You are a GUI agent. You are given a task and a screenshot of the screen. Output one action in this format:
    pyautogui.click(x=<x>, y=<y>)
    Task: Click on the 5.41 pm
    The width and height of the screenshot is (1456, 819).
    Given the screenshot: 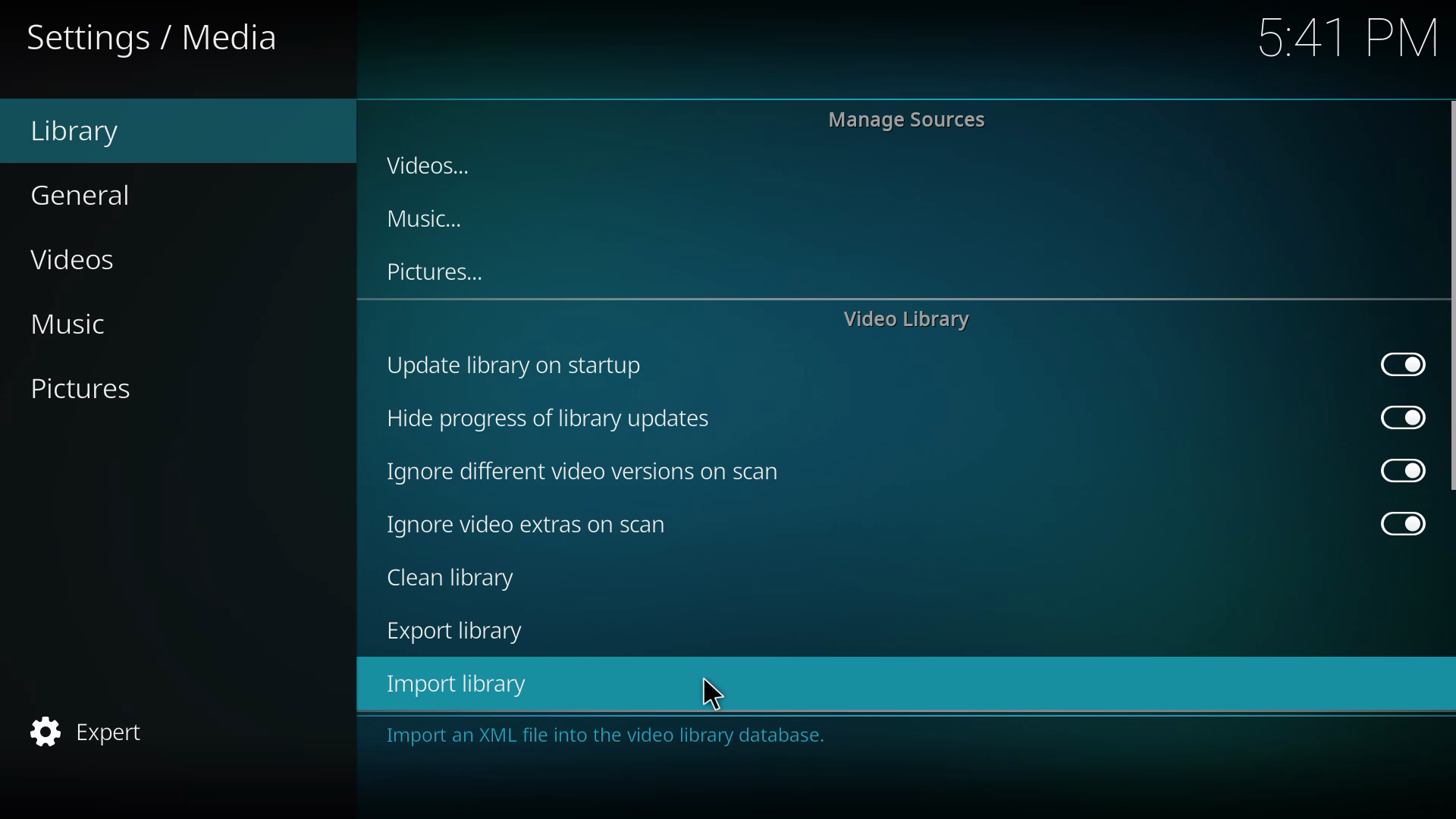 What is the action you would take?
    pyautogui.click(x=1351, y=39)
    